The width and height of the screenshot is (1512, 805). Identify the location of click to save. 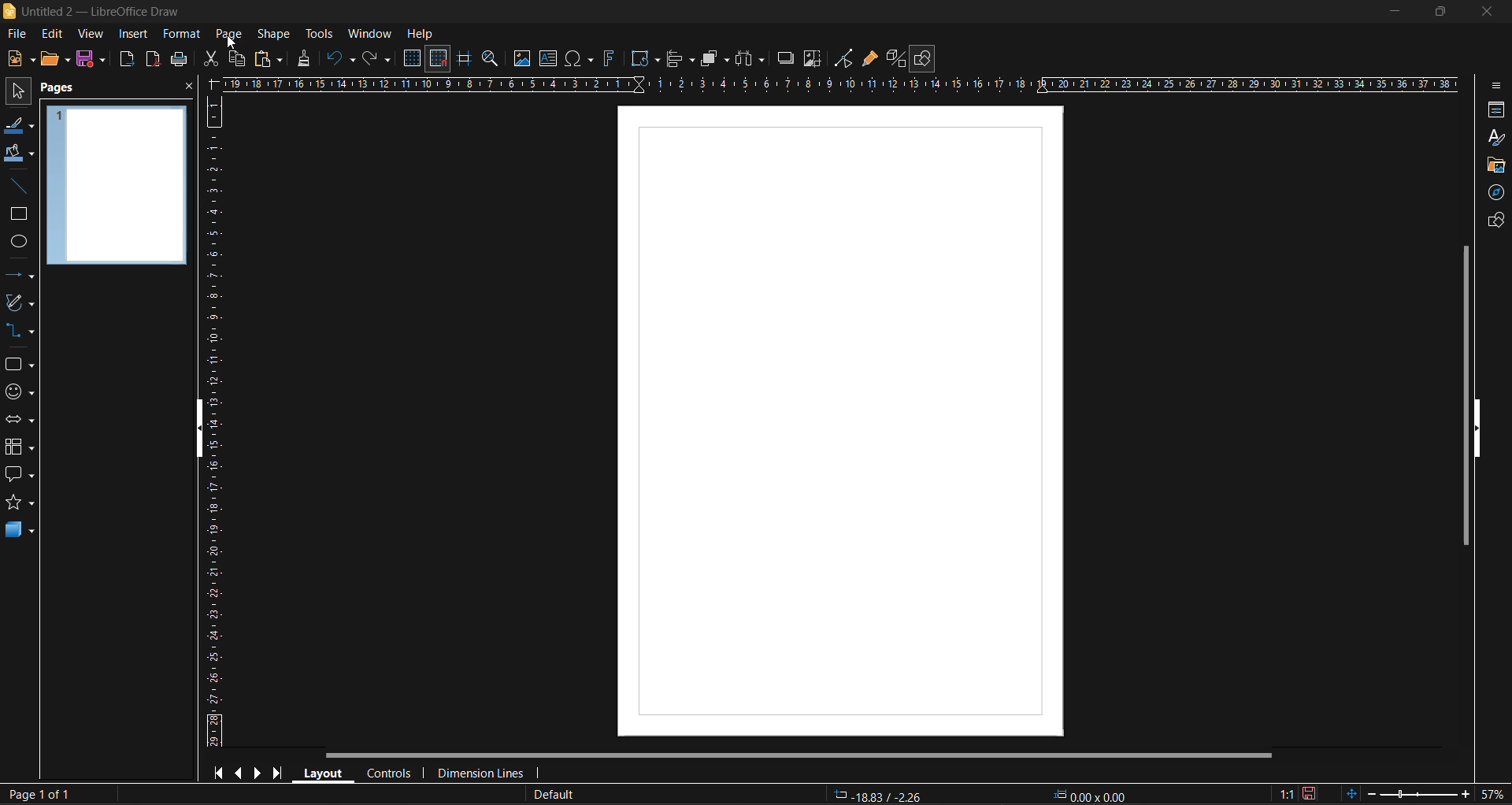
(1309, 793).